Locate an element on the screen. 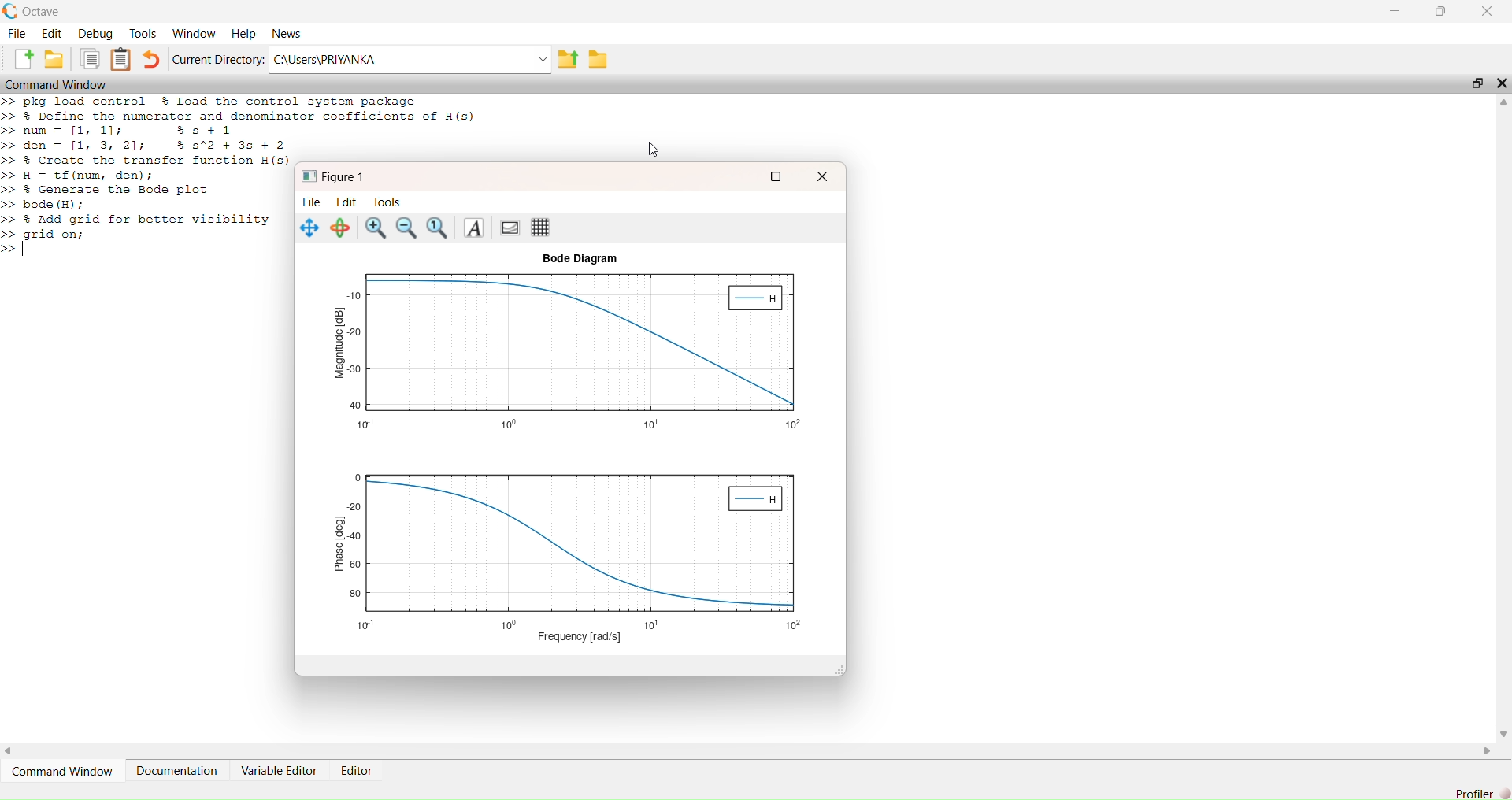 The width and height of the screenshot is (1512, 800). Open an existing file in editor is located at coordinates (54, 59).